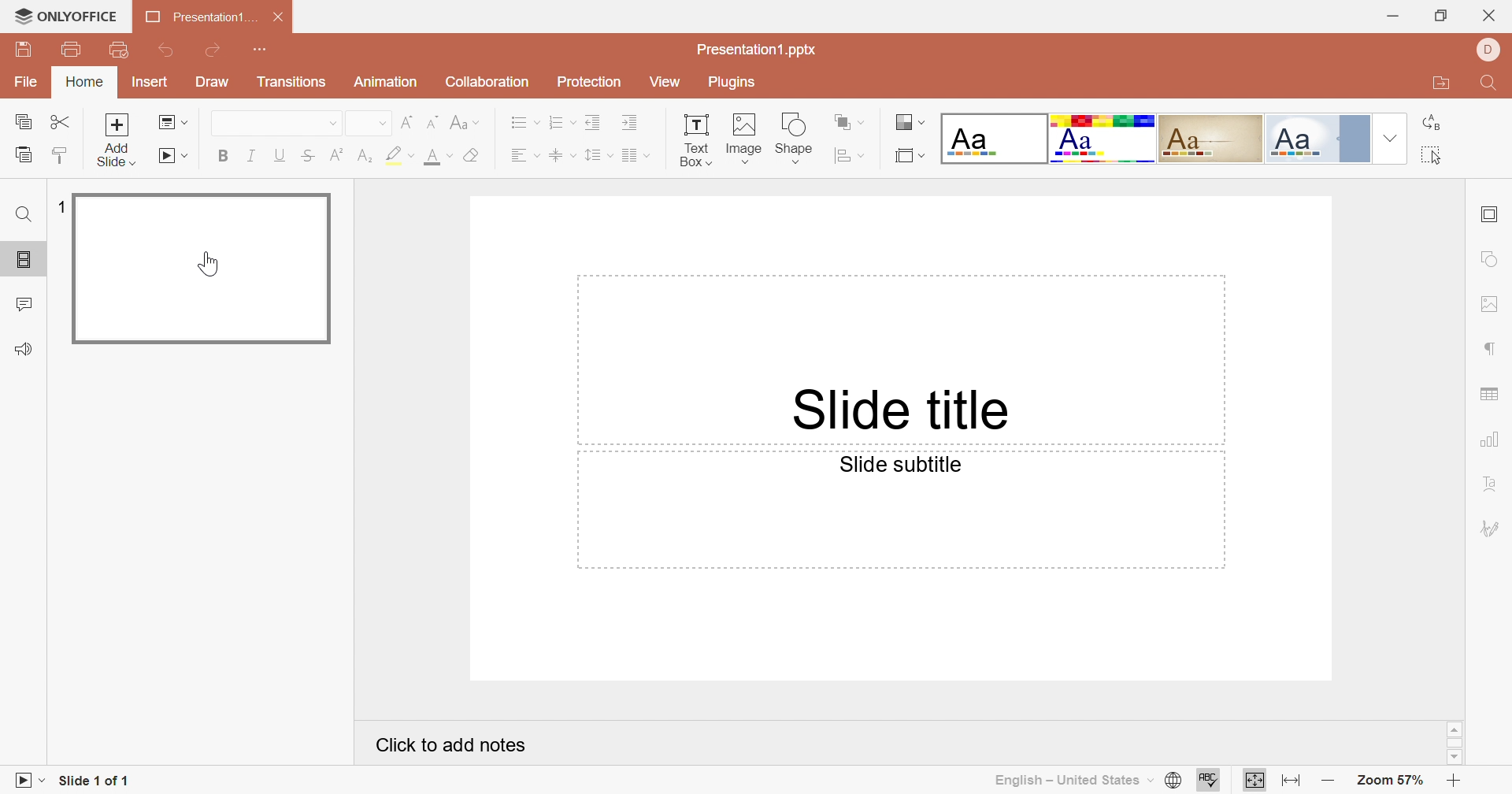 This screenshot has height=794, width=1512. I want to click on Slide title, so click(903, 412).